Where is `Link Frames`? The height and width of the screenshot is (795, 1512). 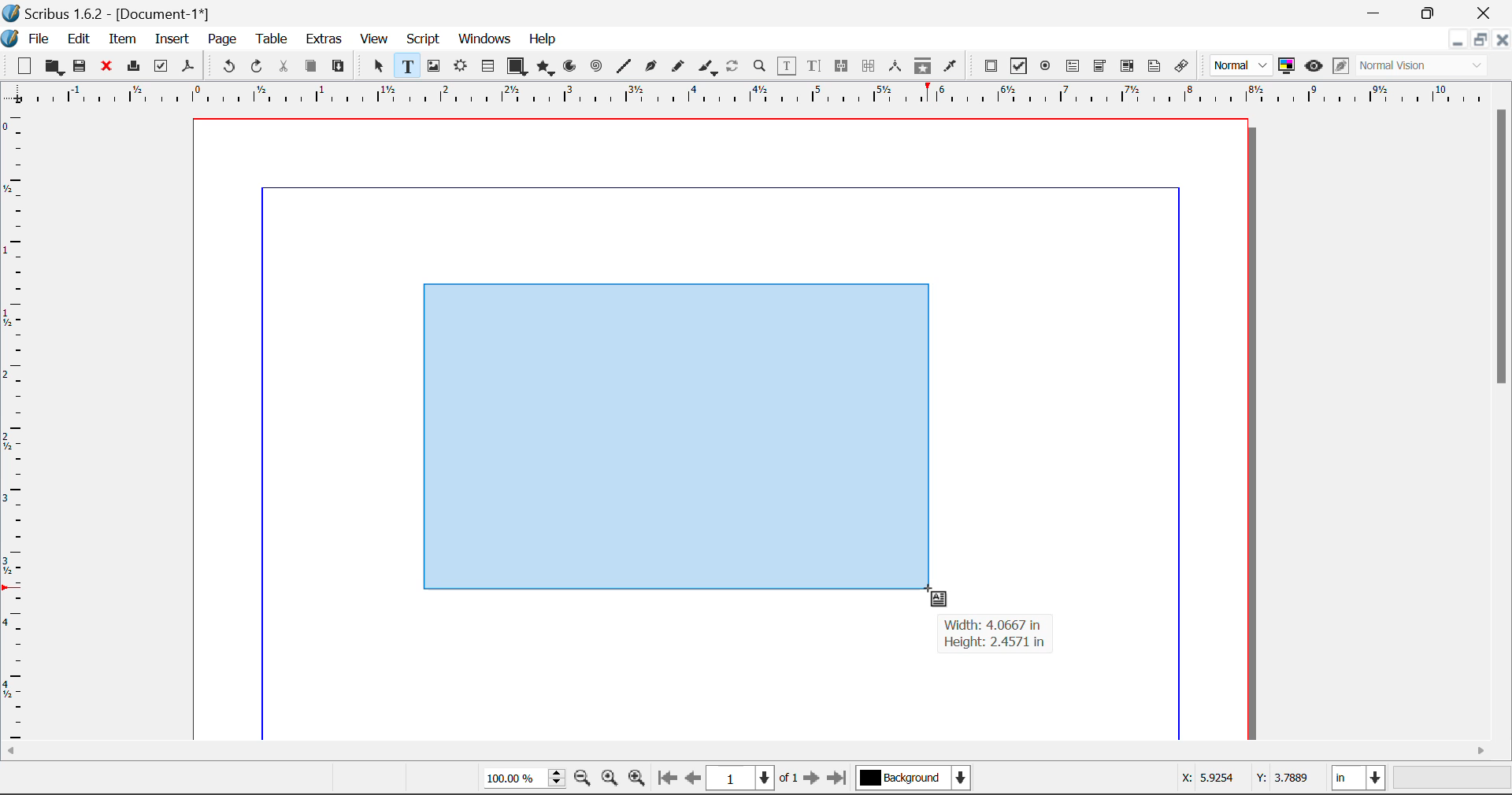
Link Frames is located at coordinates (842, 66).